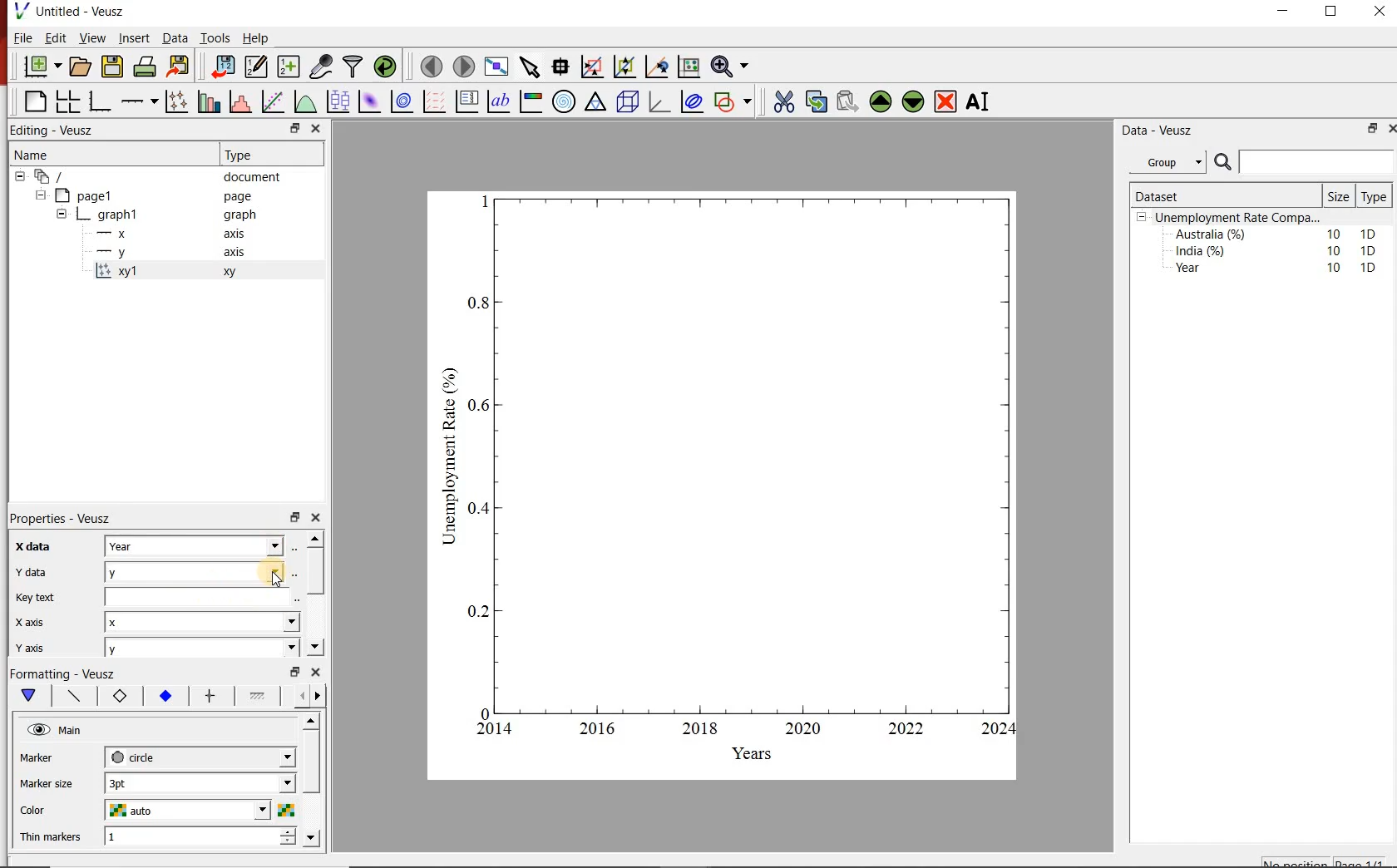 The width and height of the screenshot is (1397, 868). What do you see at coordinates (981, 101) in the screenshot?
I see `rename the widgets` at bounding box center [981, 101].